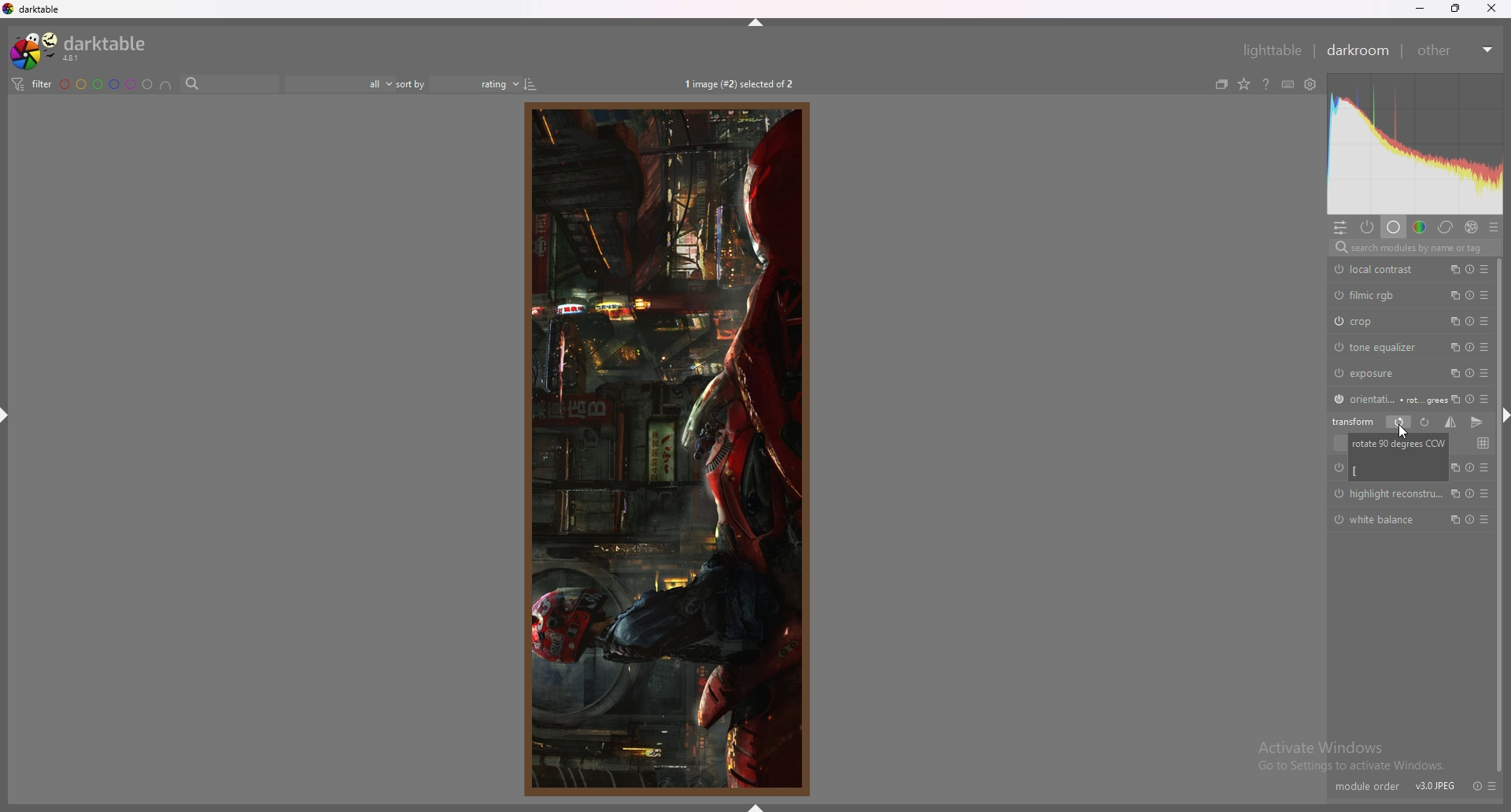 This screenshot has width=1511, height=812. I want to click on show global preferences, so click(1310, 84).